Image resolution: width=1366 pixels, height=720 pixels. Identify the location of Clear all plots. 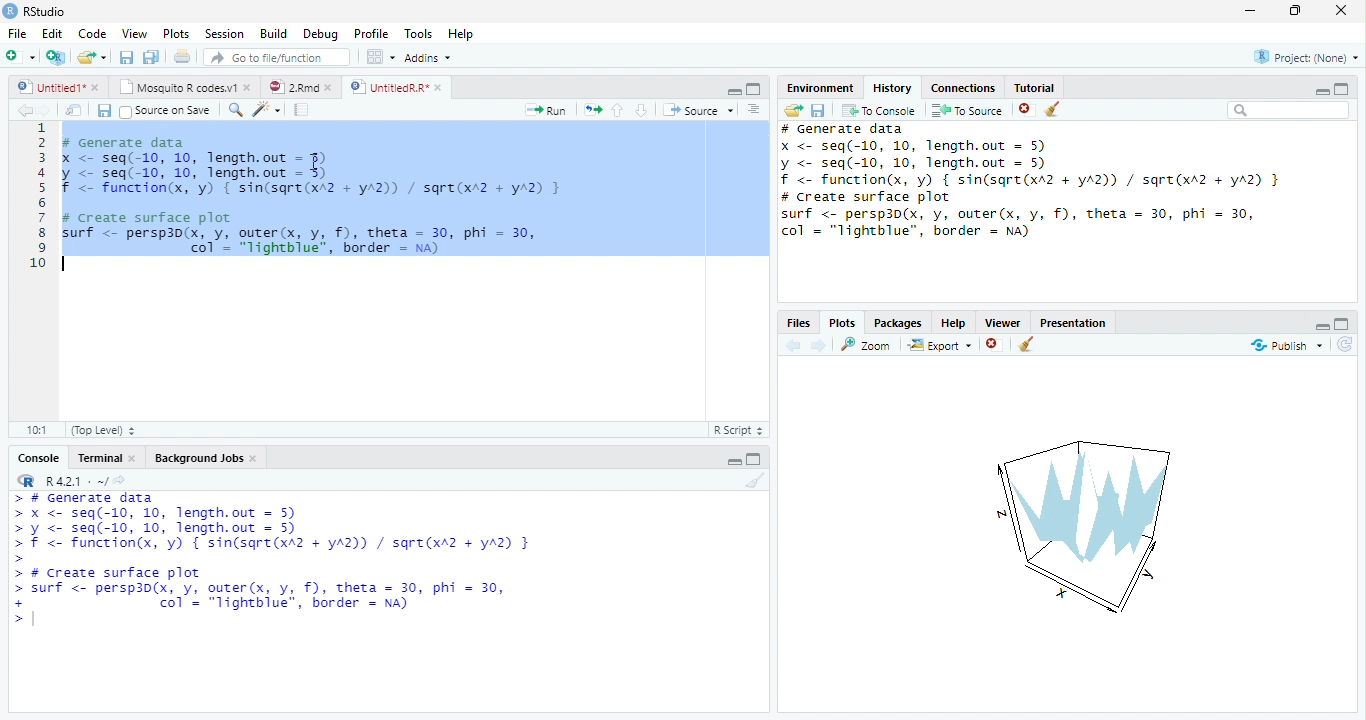
(1026, 344).